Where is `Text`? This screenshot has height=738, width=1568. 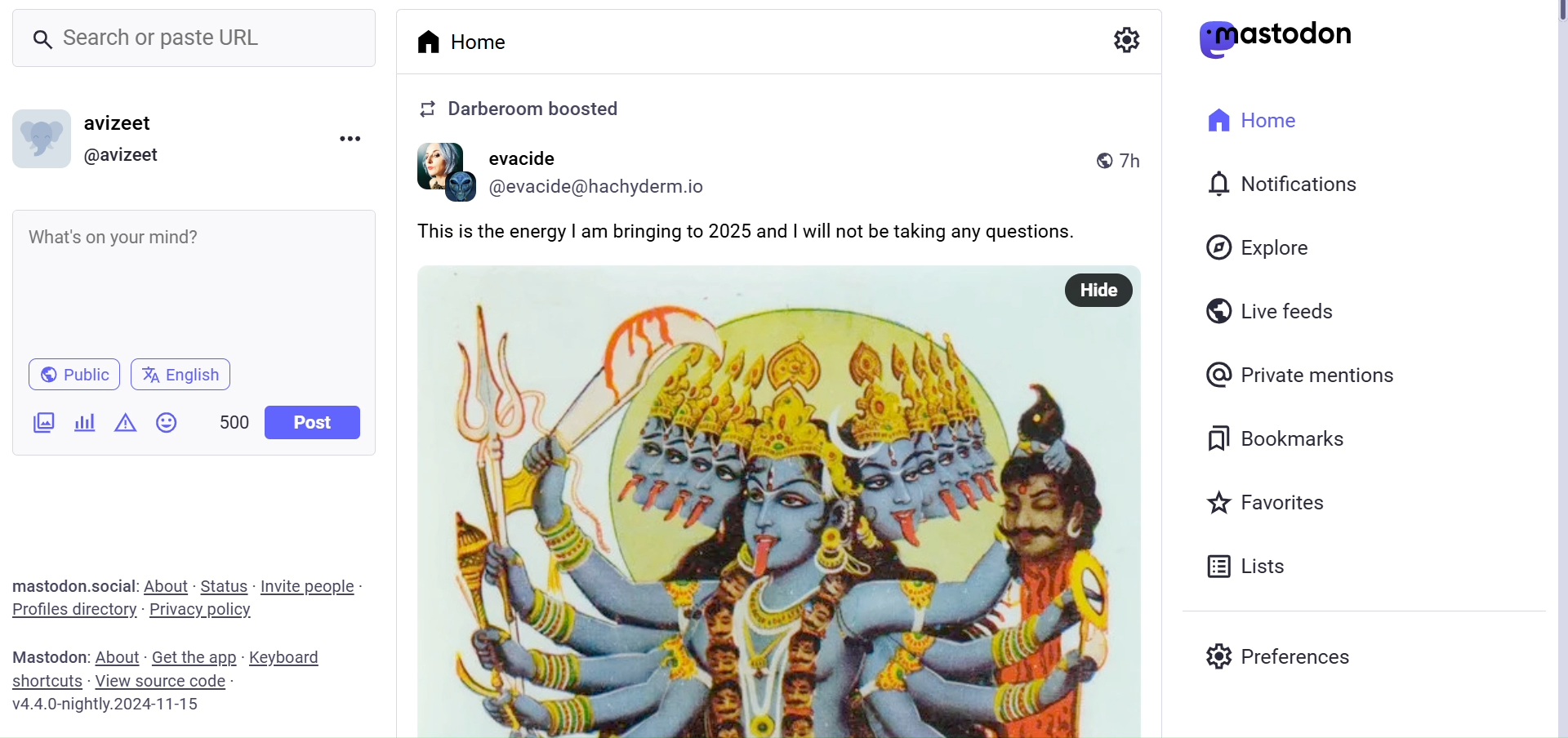 Text is located at coordinates (52, 658).